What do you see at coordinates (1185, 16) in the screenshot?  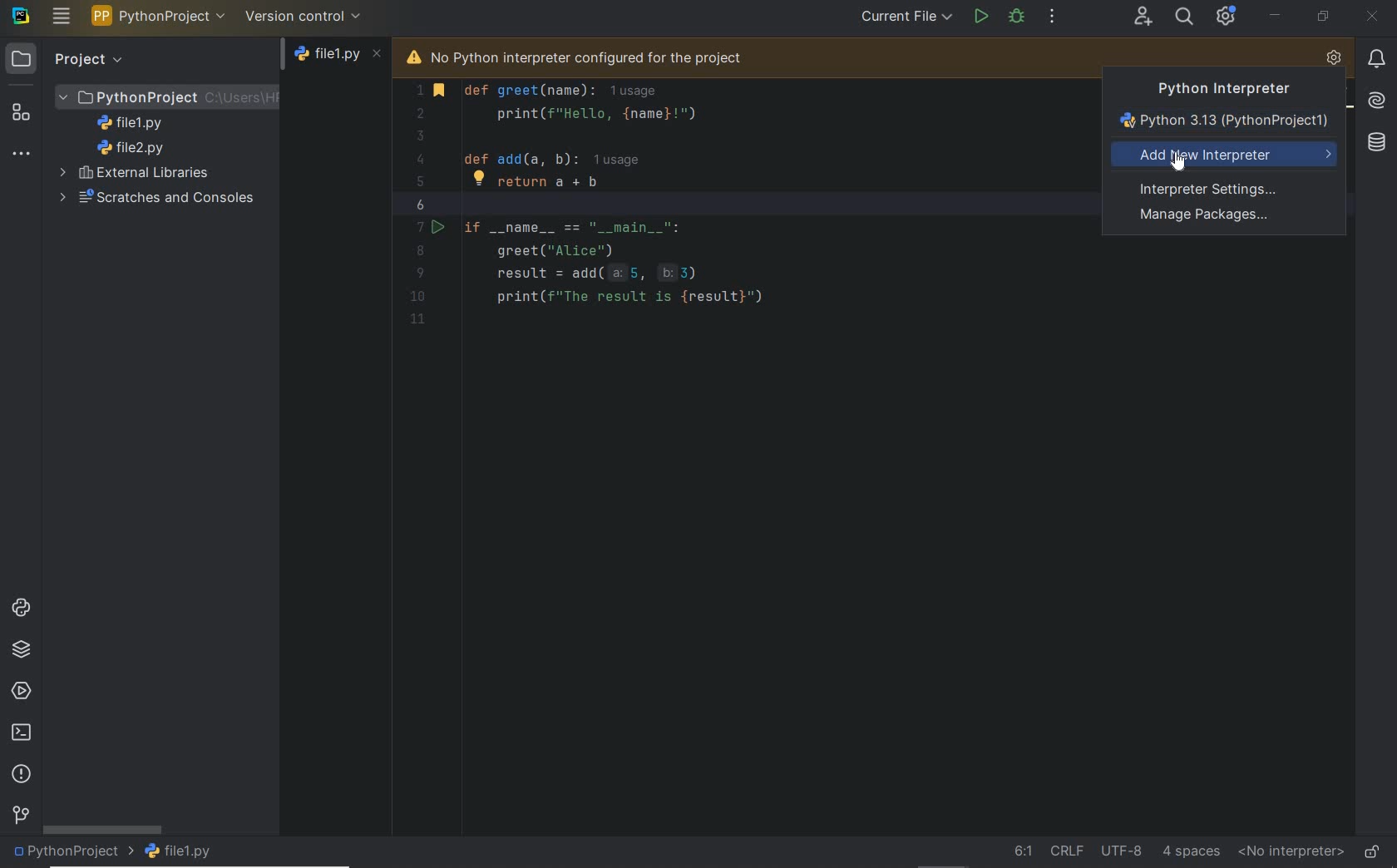 I see `search everywhere` at bounding box center [1185, 16].